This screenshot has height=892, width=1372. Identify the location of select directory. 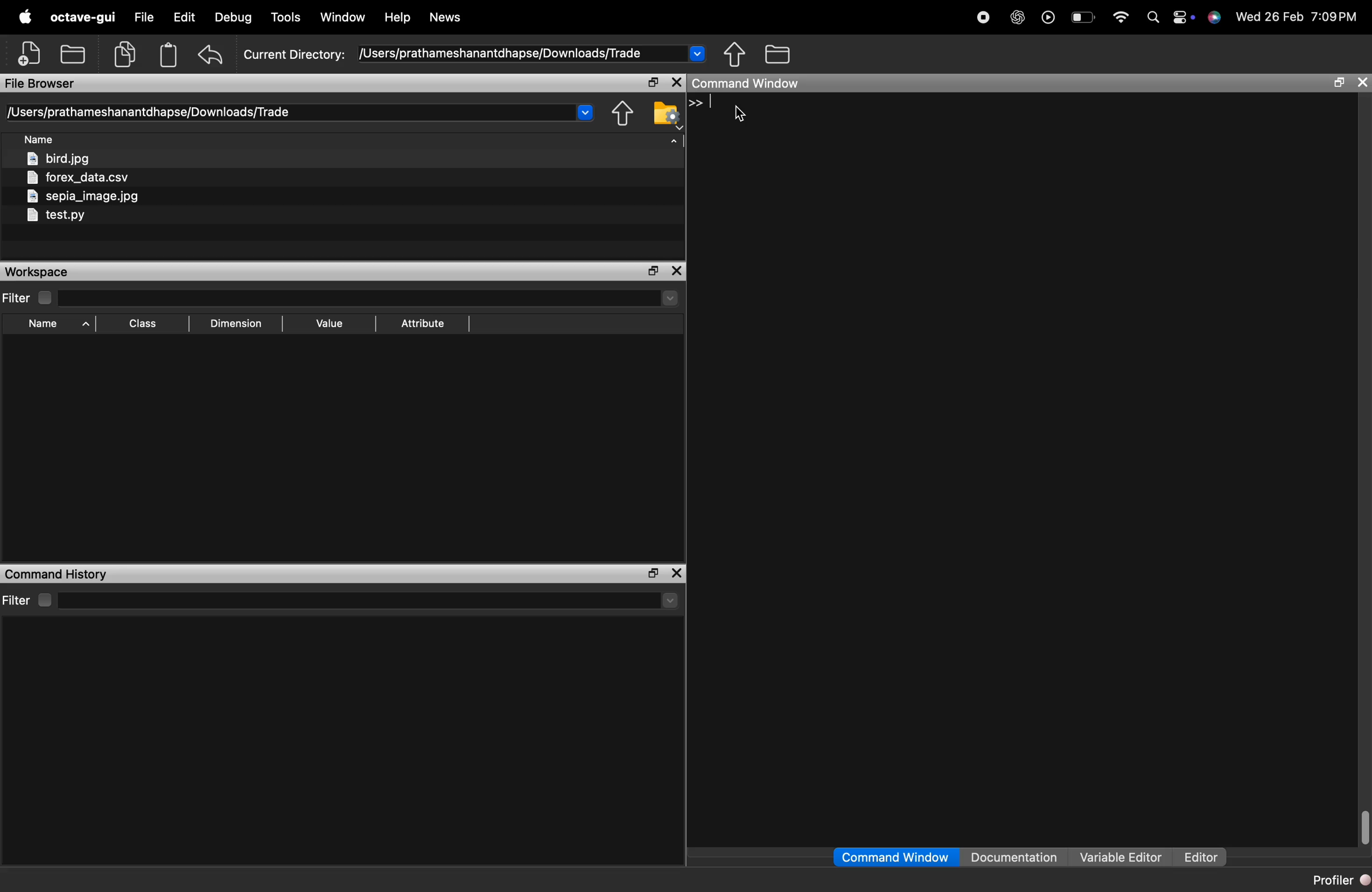
(375, 602).